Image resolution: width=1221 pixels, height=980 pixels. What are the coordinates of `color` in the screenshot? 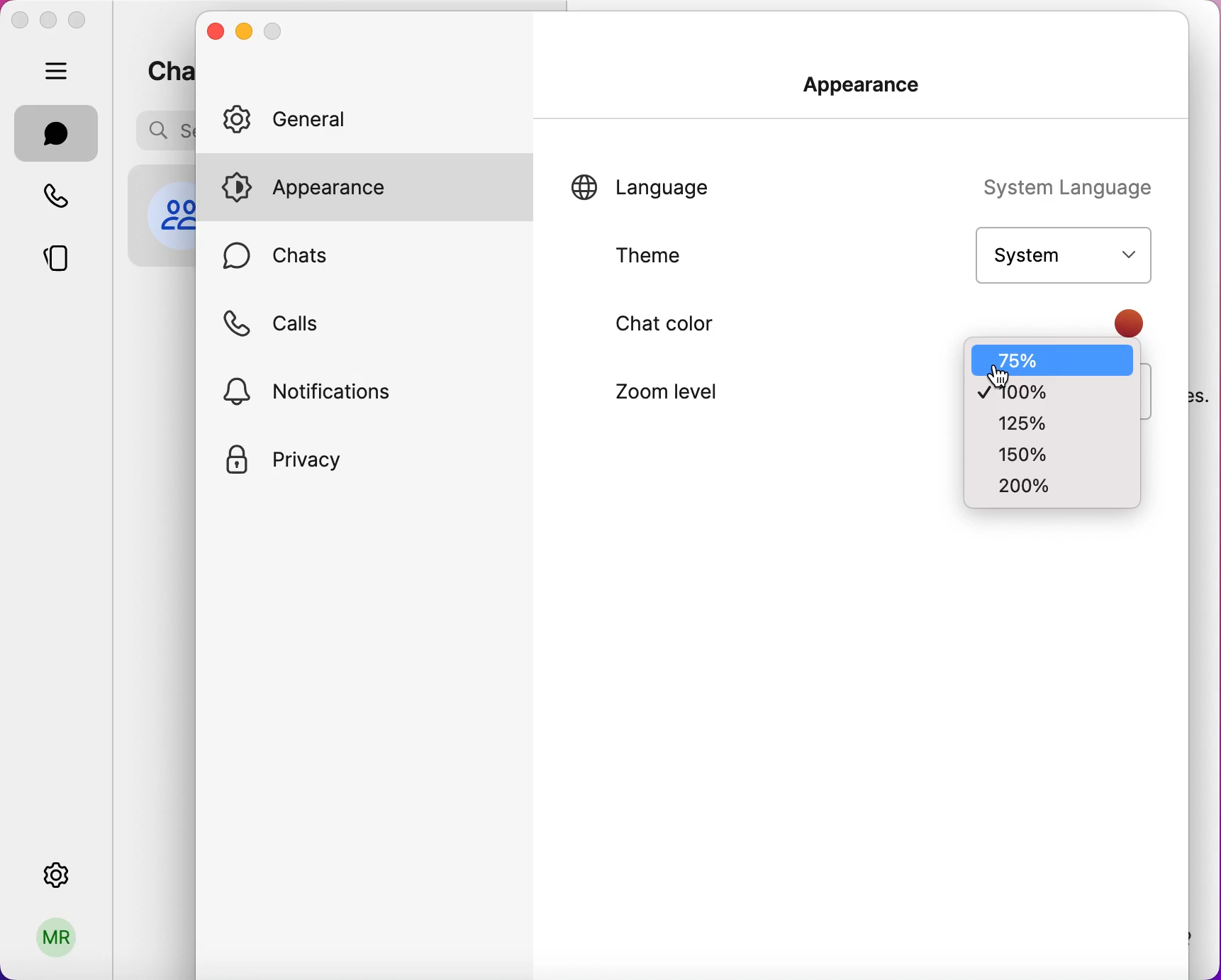 It's located at (1130, 320).